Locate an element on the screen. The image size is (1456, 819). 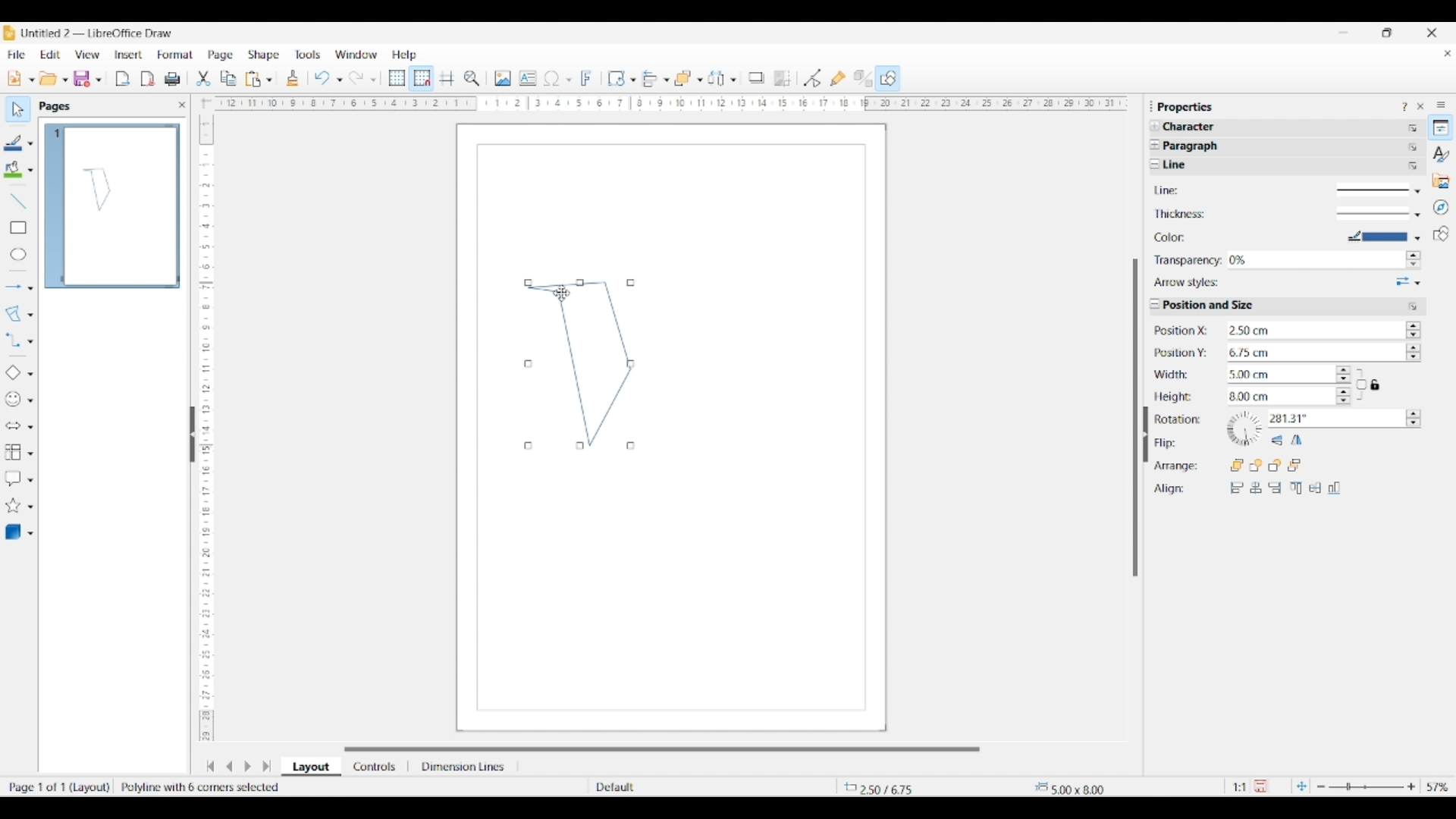
Section title - Pages is located at coordinates (58, 106).